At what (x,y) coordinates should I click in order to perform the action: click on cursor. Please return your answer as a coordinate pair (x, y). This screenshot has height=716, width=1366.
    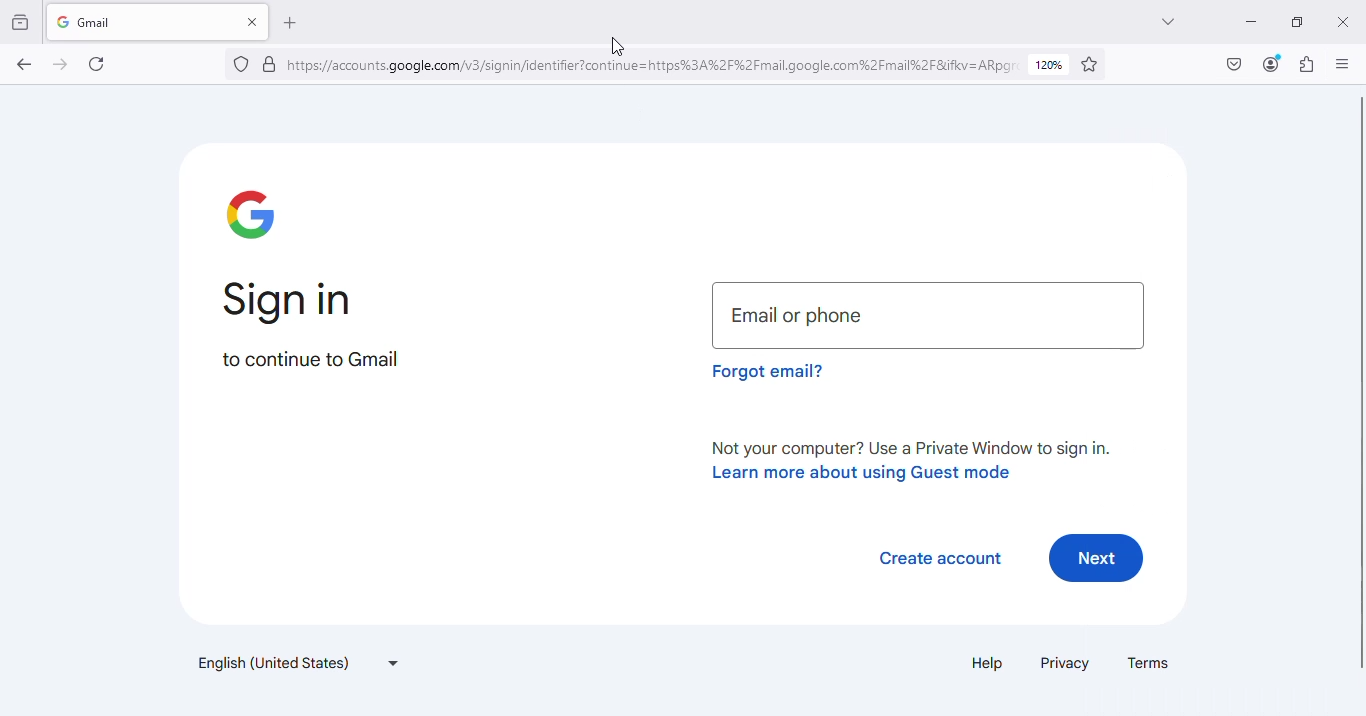
    Looking at the image, I should click on (618, 47).